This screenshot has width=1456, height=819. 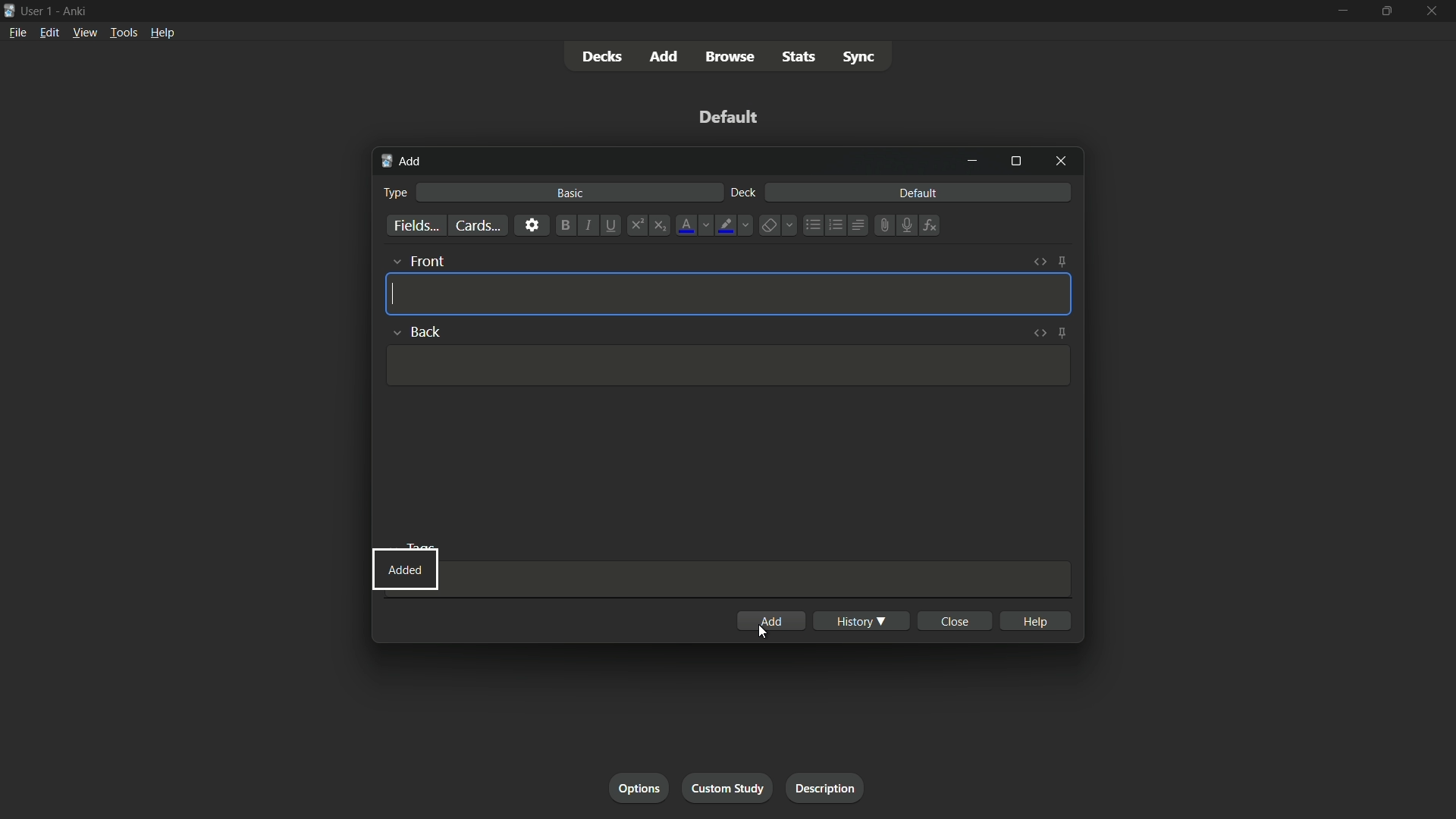 I want to click on sync, so click(x=858, y=59).